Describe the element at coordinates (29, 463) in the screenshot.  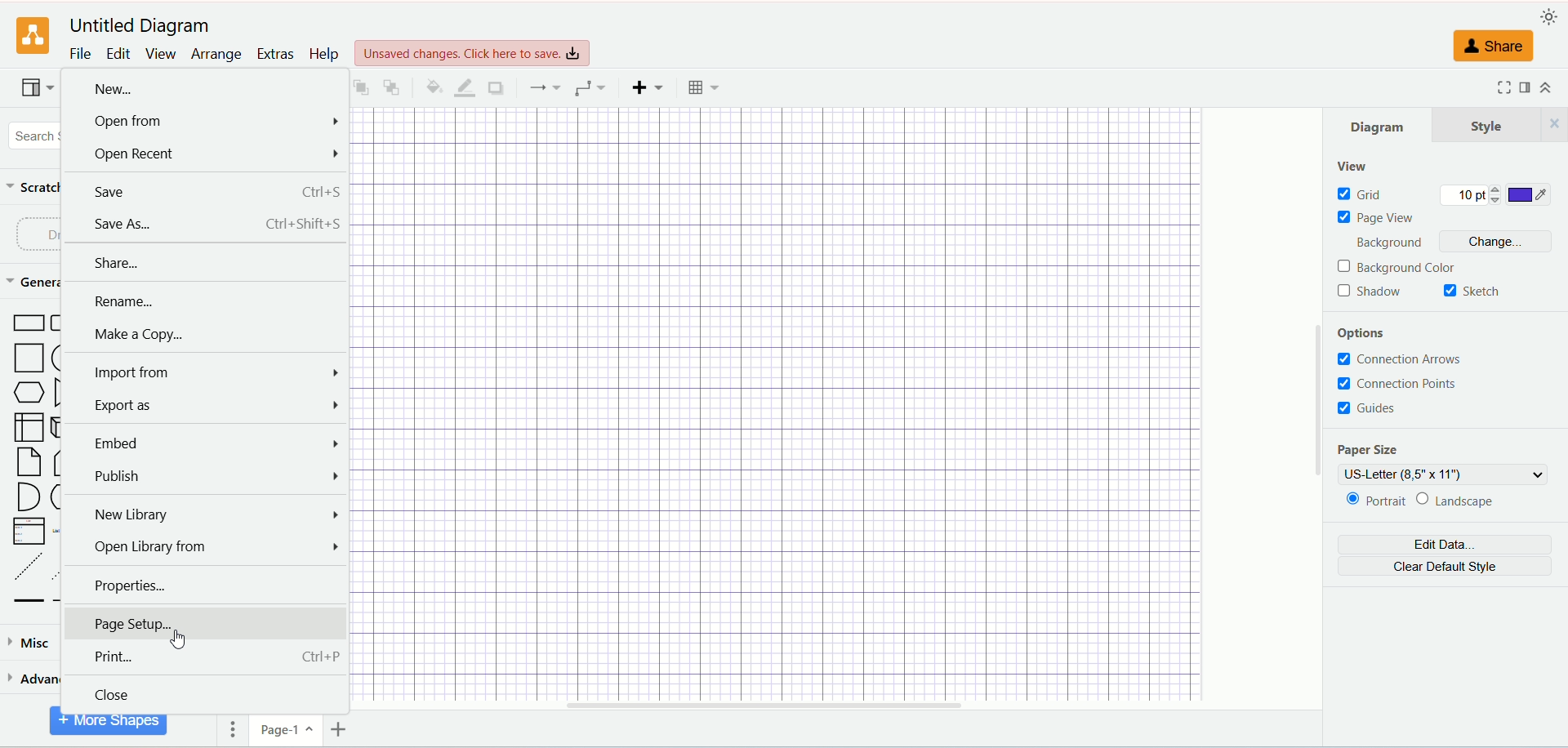
I see `Note` at that location.